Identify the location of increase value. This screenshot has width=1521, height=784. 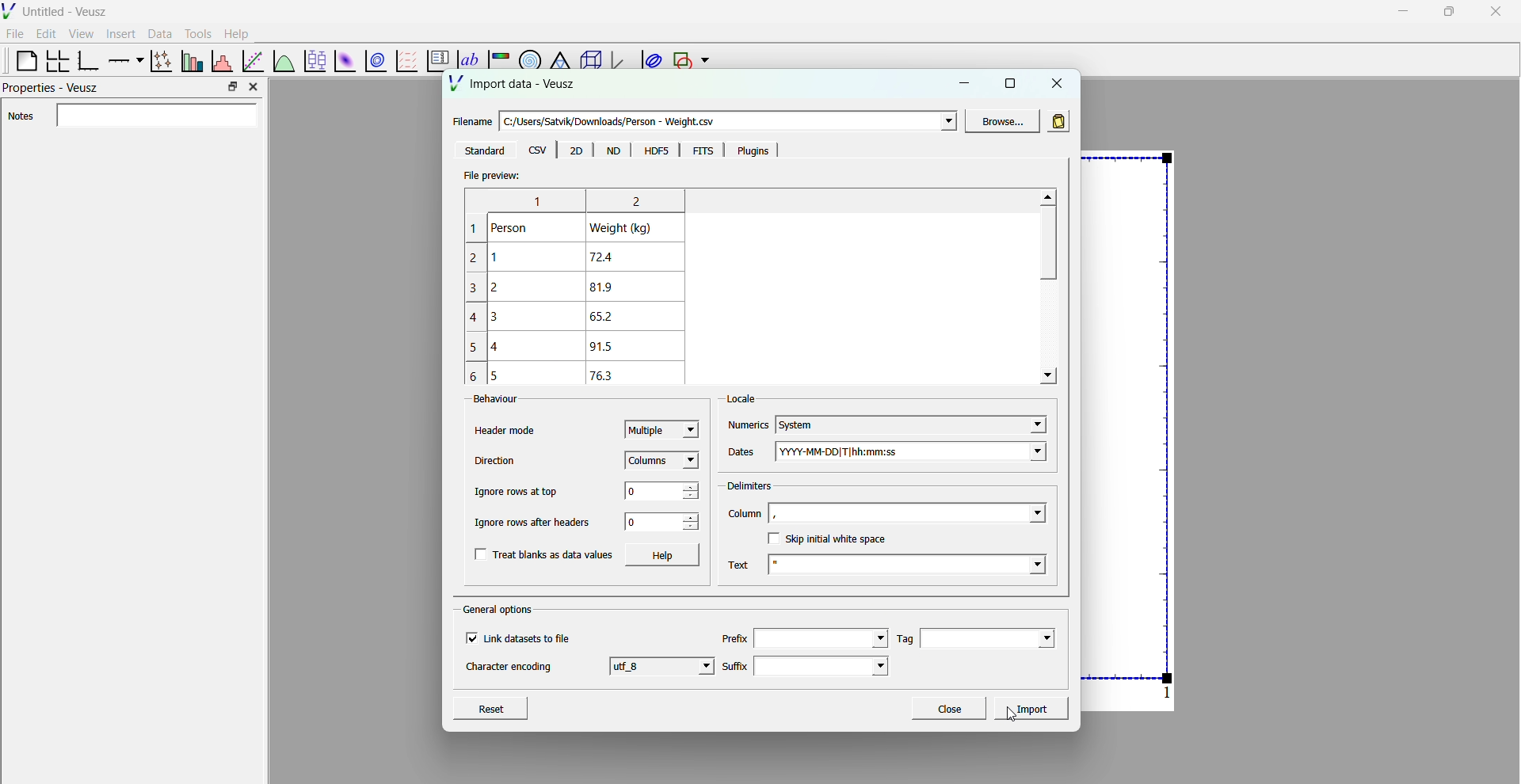
(693, 517).